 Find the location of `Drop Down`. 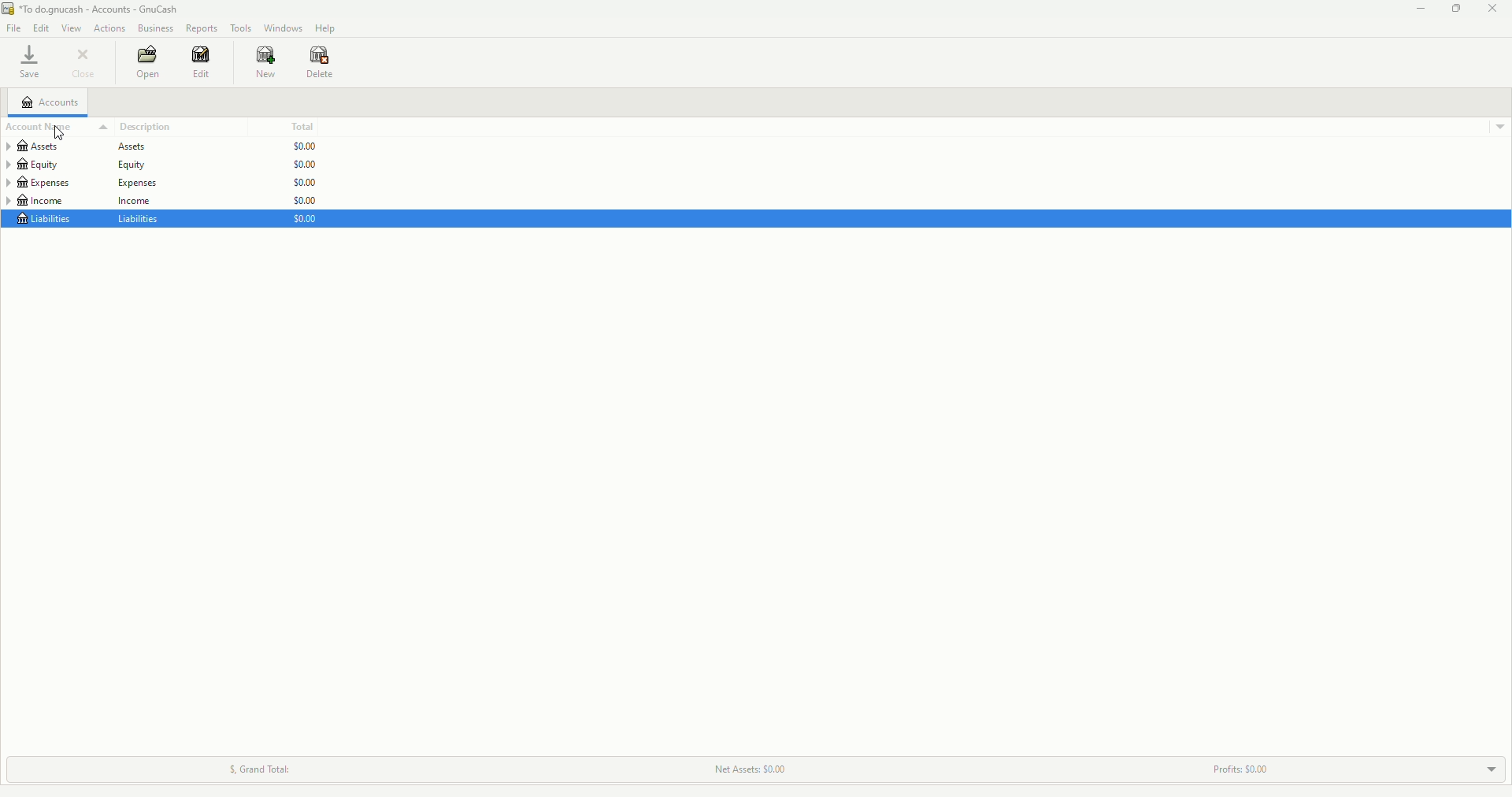

Drop Down is located at coordinates (1491, 769).